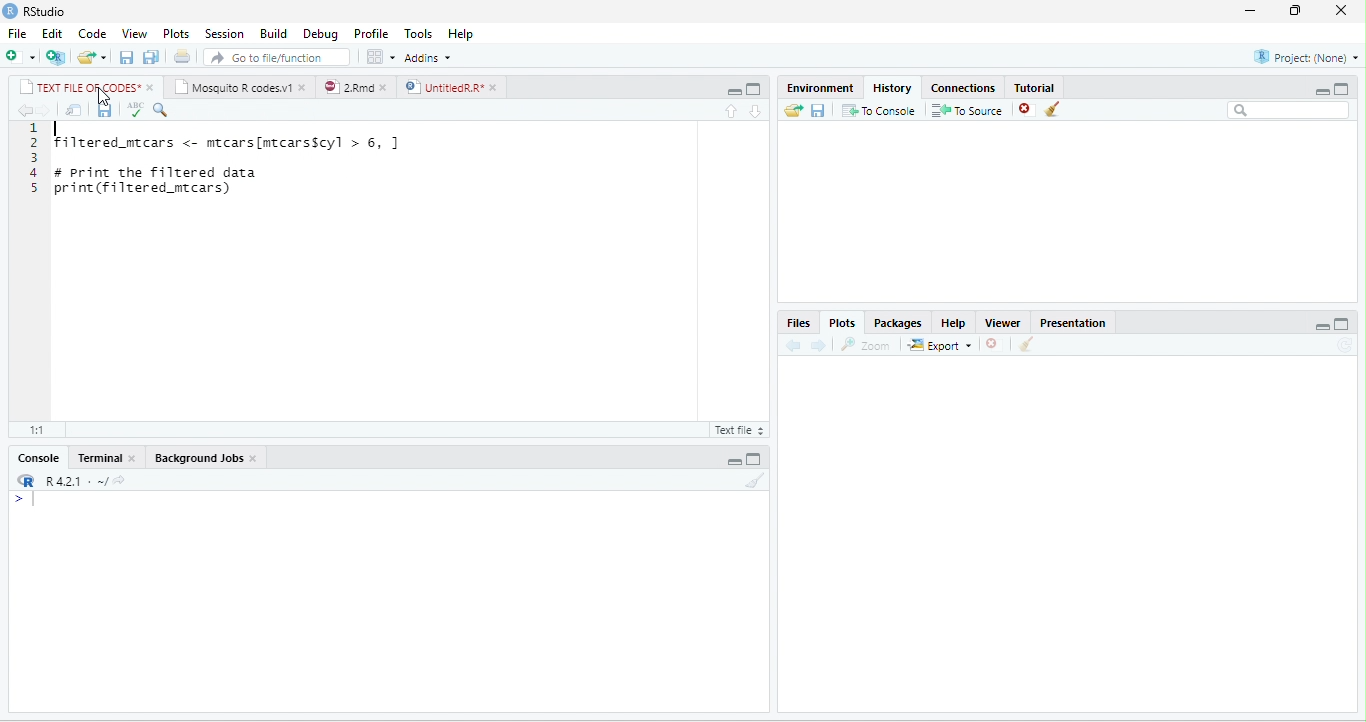  Describe the element at coordinates (176, 34) in the screenshot. I see `Plots` at that location.